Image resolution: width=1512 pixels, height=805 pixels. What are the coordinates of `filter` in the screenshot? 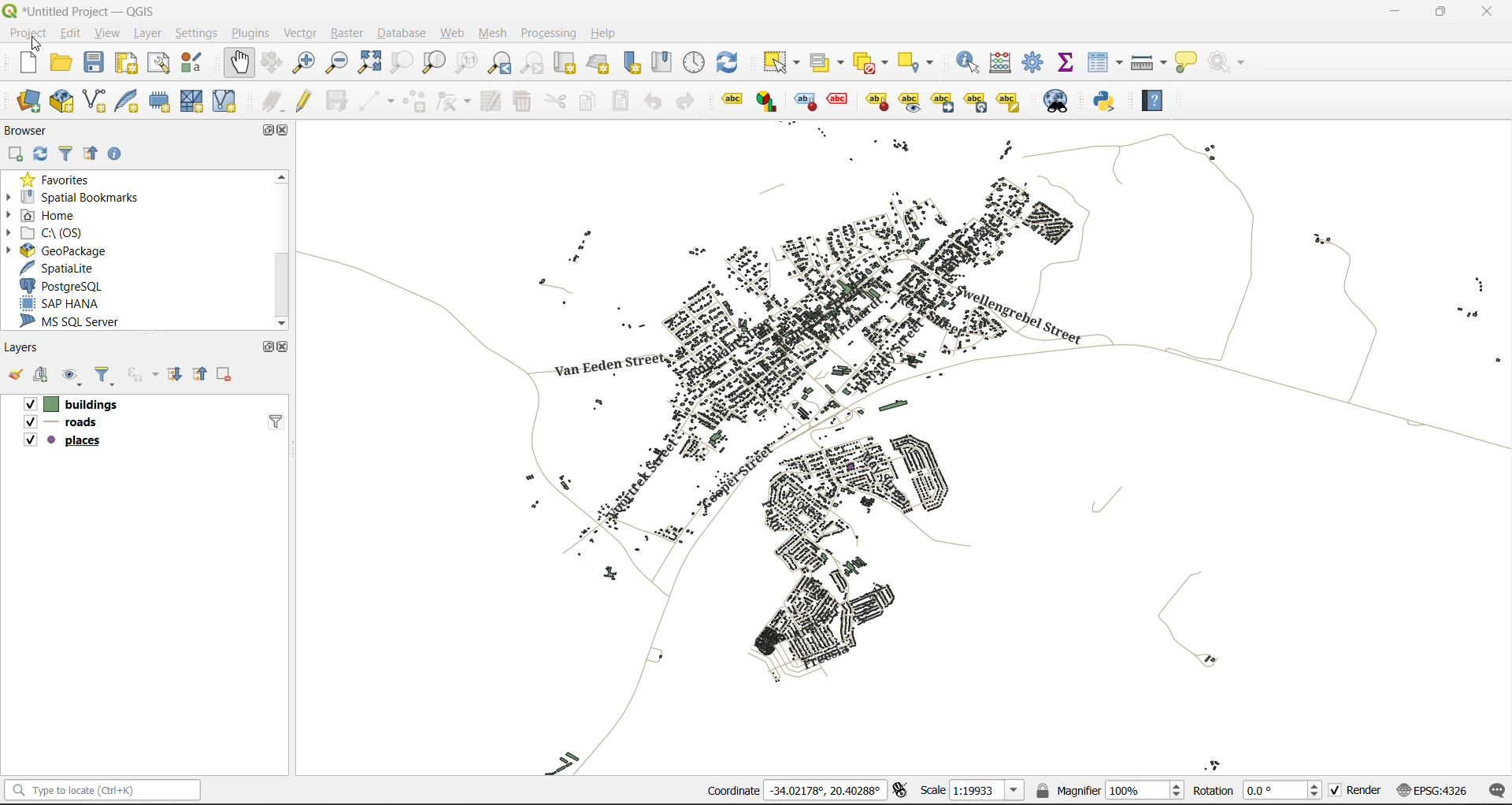 It's located at (272, 420).